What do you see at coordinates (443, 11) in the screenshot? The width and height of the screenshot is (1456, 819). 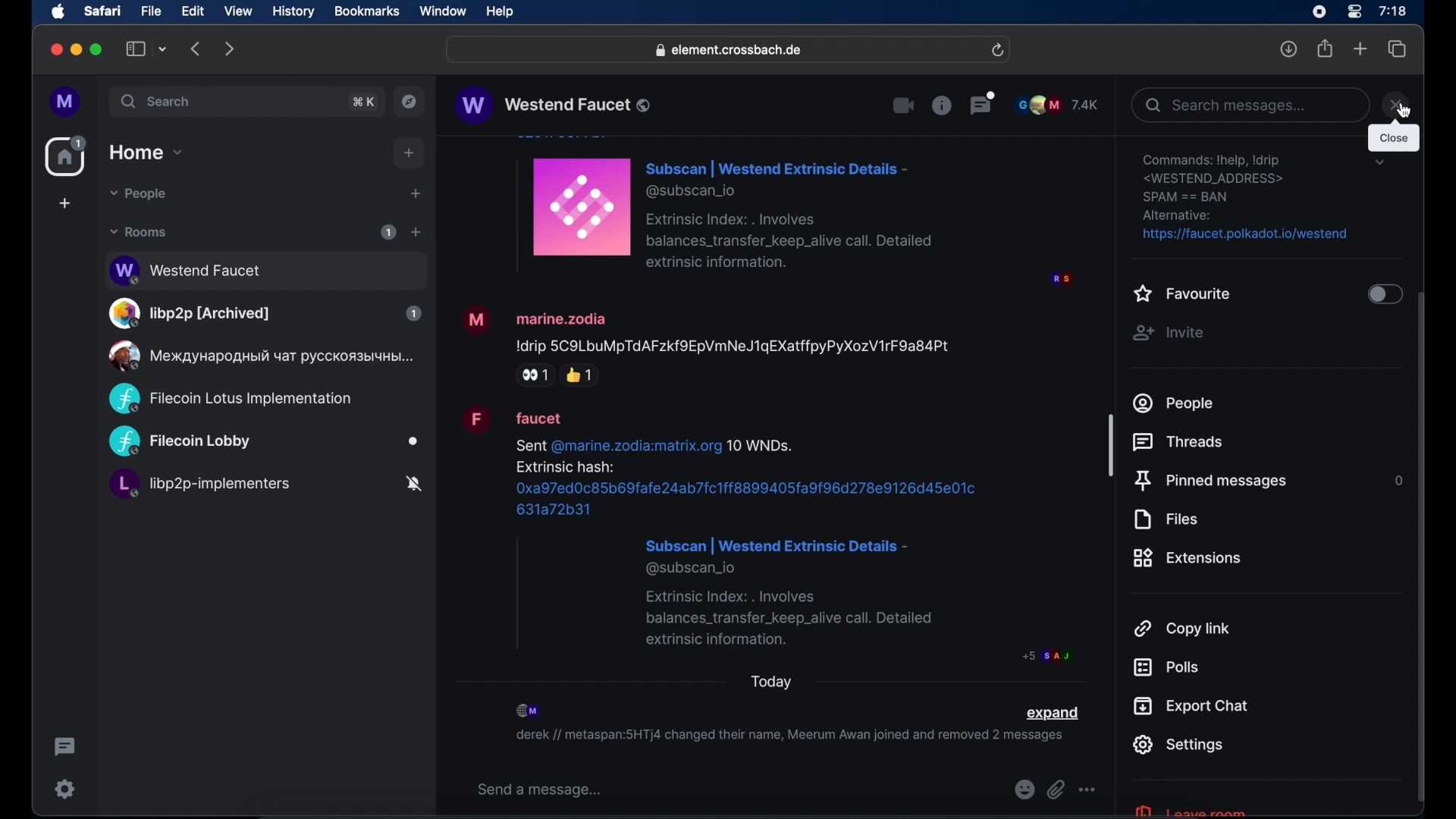 I see `window` at bounding box center [443, 11].